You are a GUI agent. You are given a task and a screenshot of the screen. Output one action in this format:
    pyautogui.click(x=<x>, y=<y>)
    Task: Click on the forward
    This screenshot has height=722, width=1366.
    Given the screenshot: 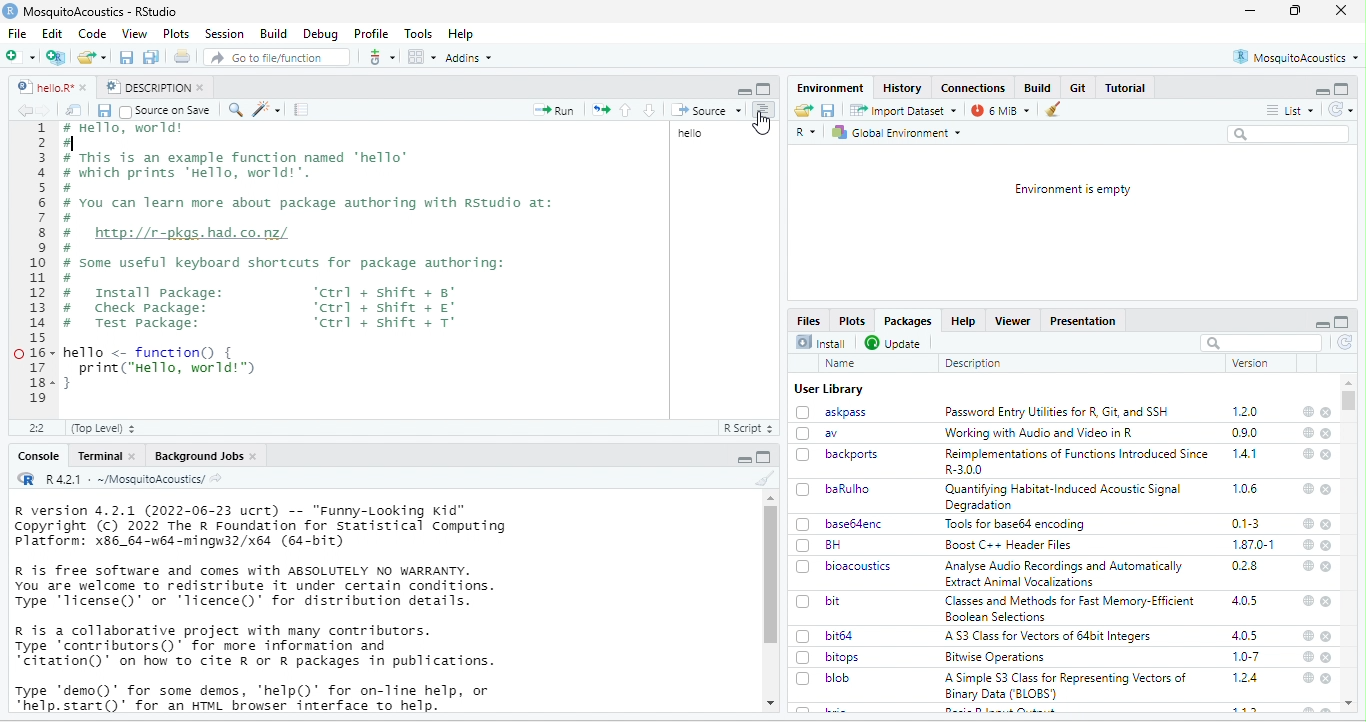 What is the action you would take?
    pyautogui.click(x=47, y=110)
    